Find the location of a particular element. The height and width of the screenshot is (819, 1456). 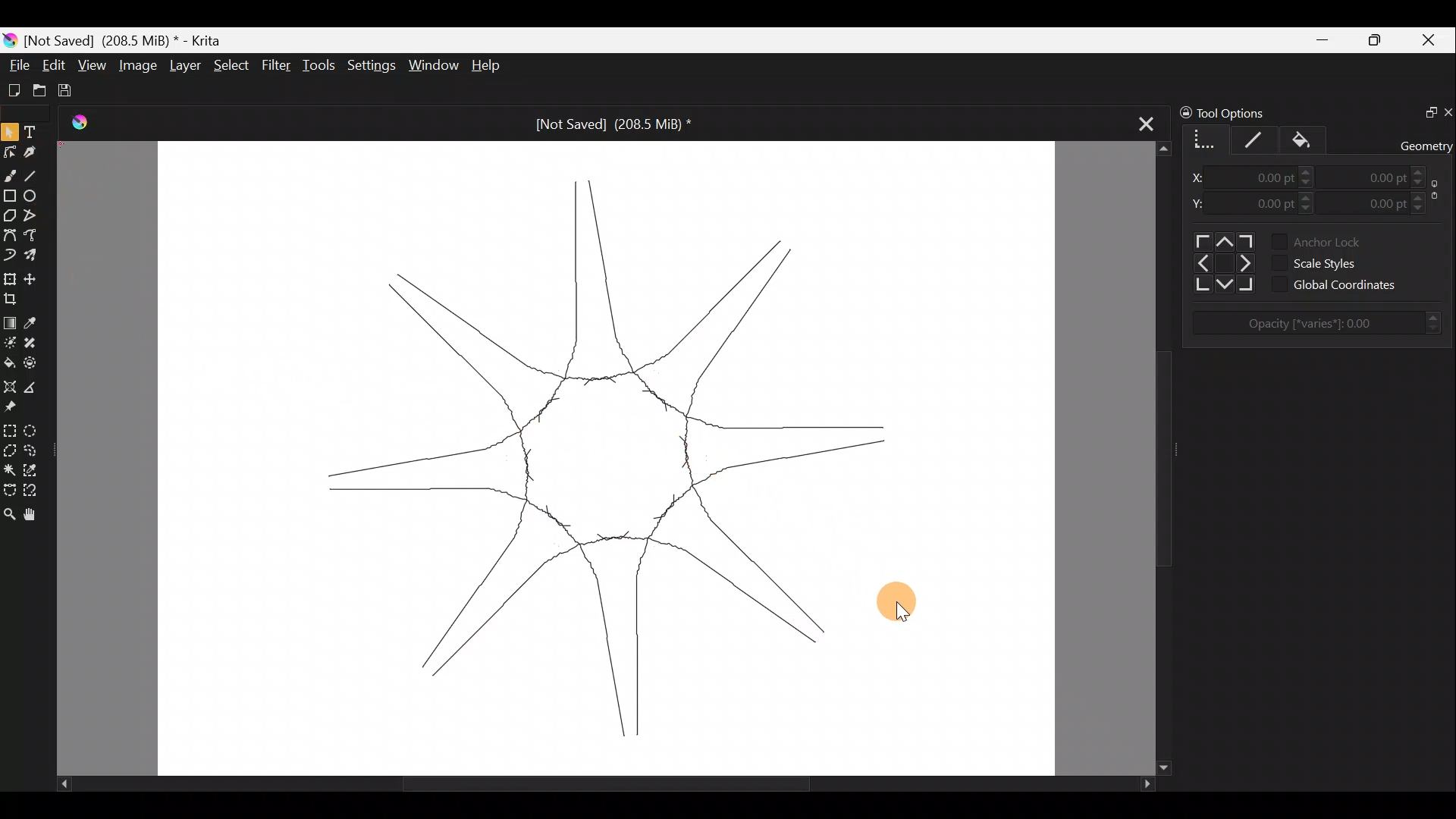

Stroke is located at coordinates (1260, 137).